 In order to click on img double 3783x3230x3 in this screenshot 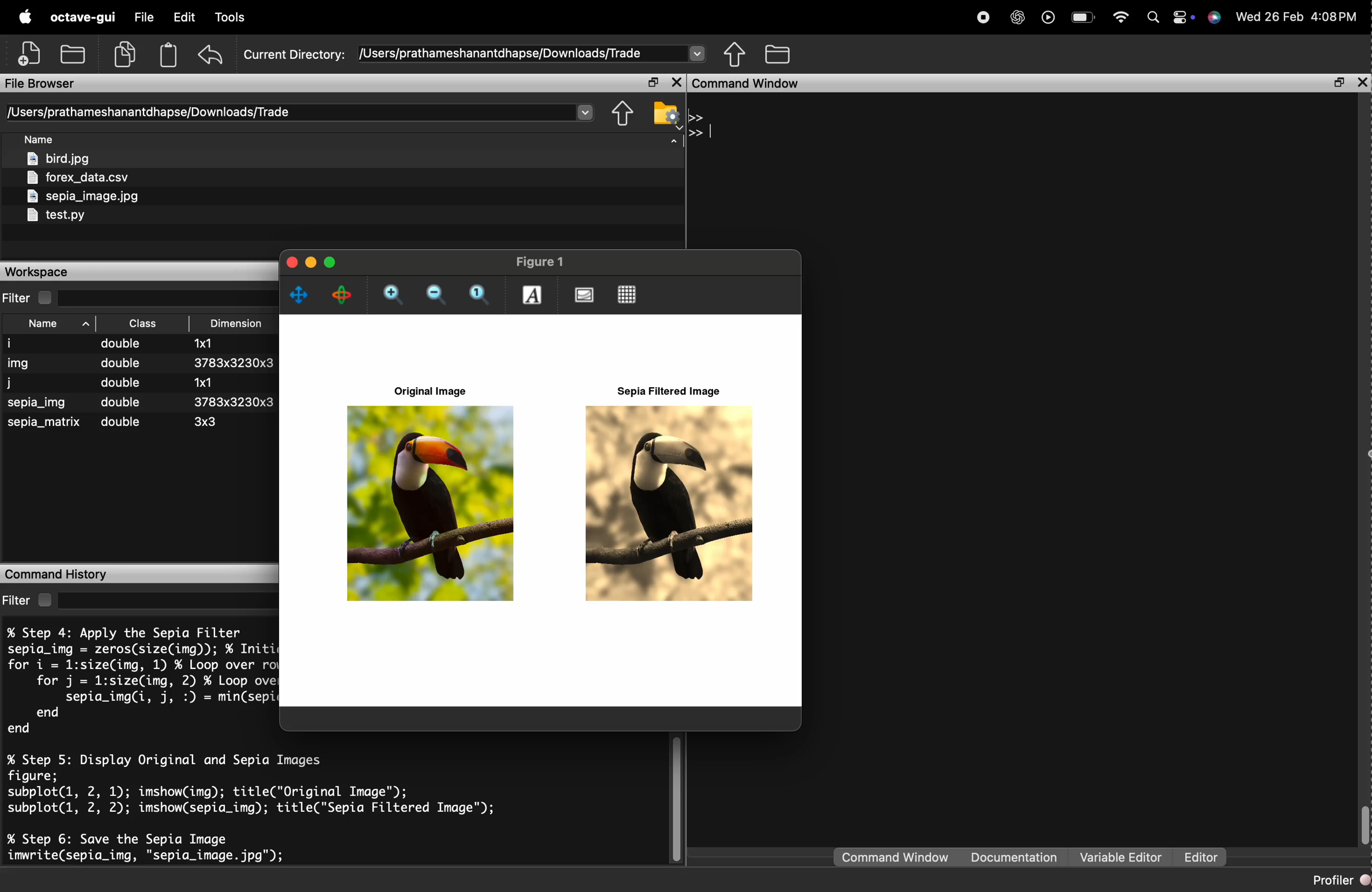, I will do `click(140, 361)`.